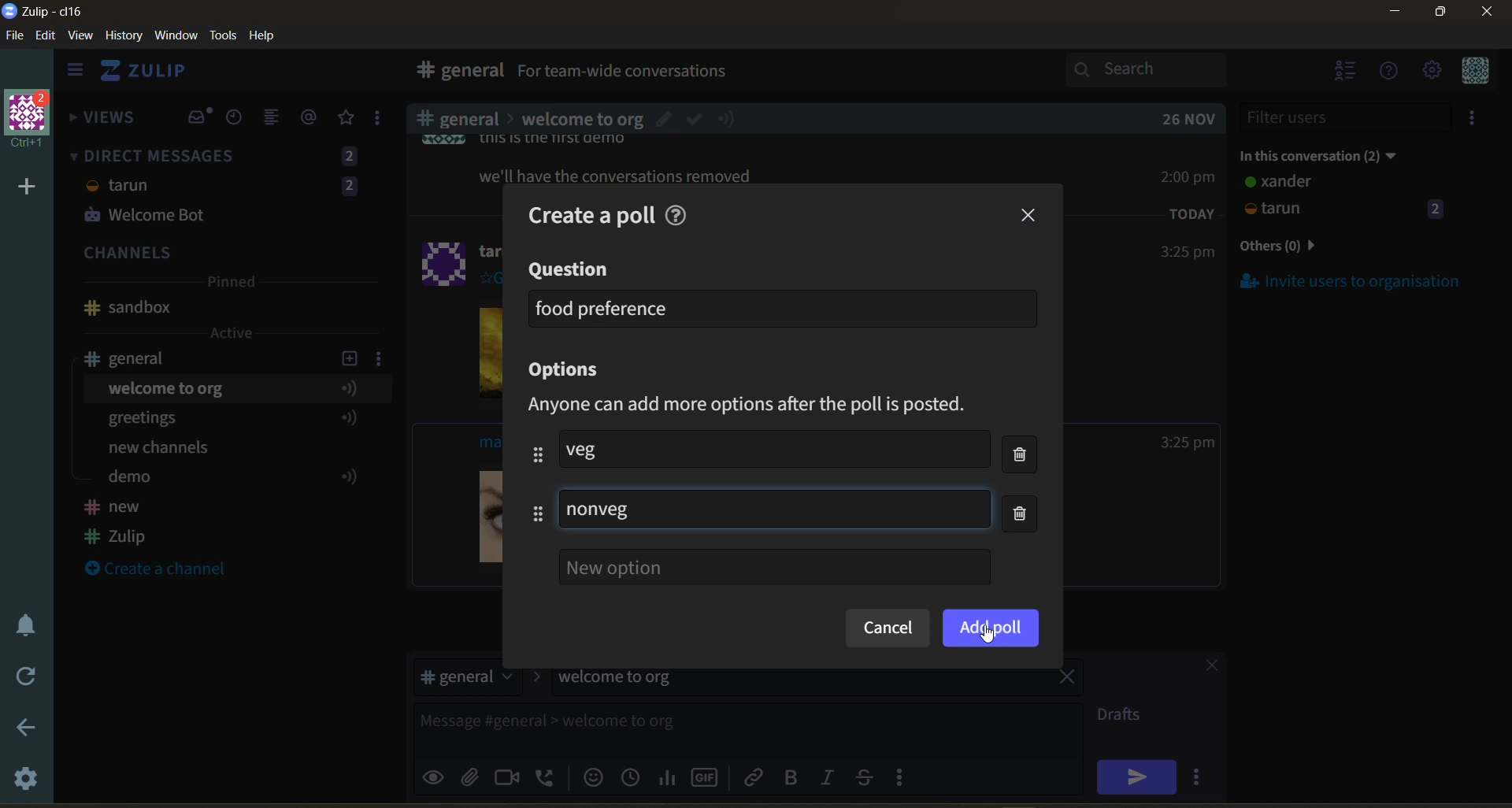  Describe the element at coordinates (199, 117) in the screenshot. I see `inbox` at that location.